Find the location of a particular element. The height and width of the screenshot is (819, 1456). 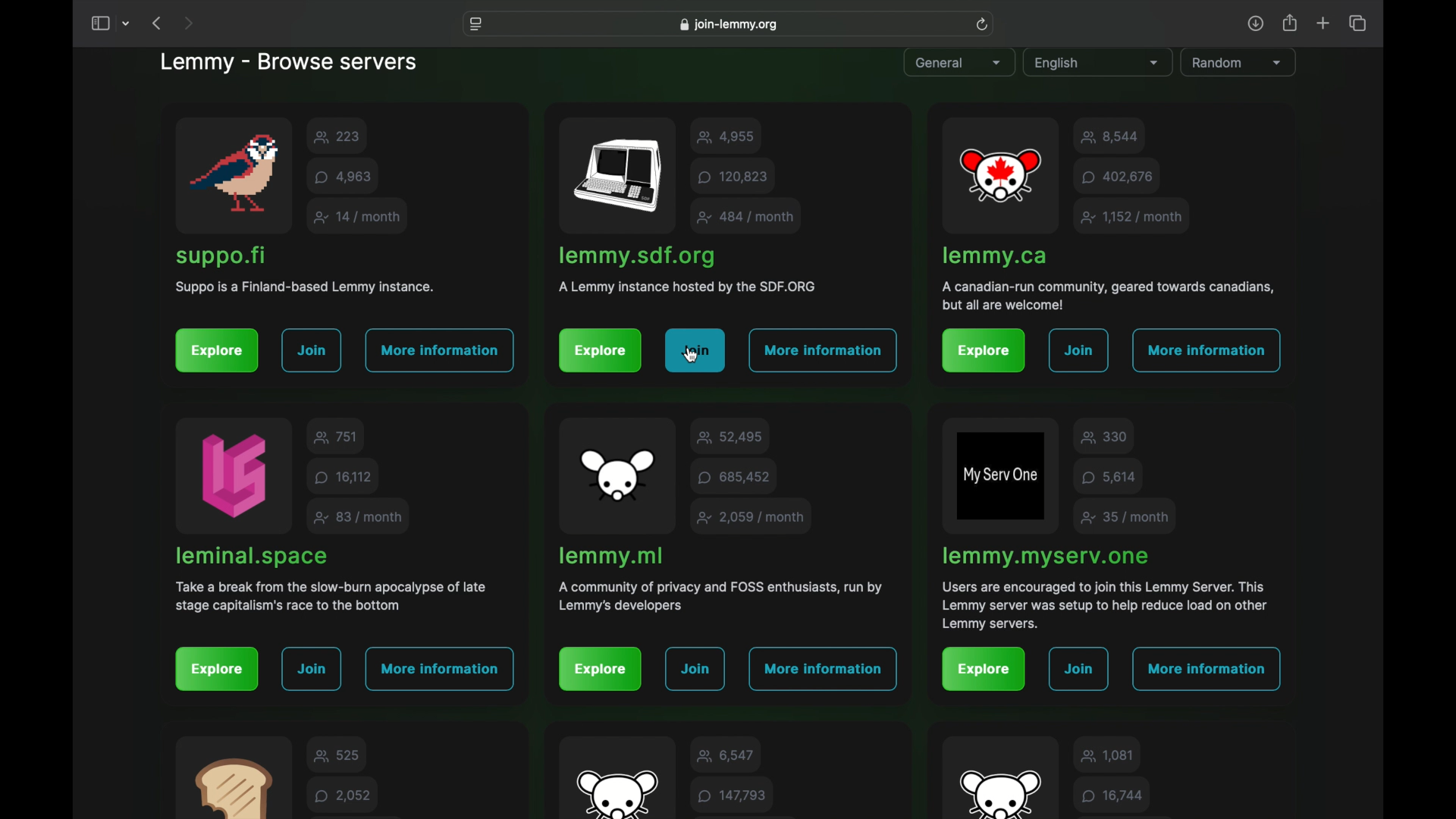

new tab is located at coordinates (1324, 23).